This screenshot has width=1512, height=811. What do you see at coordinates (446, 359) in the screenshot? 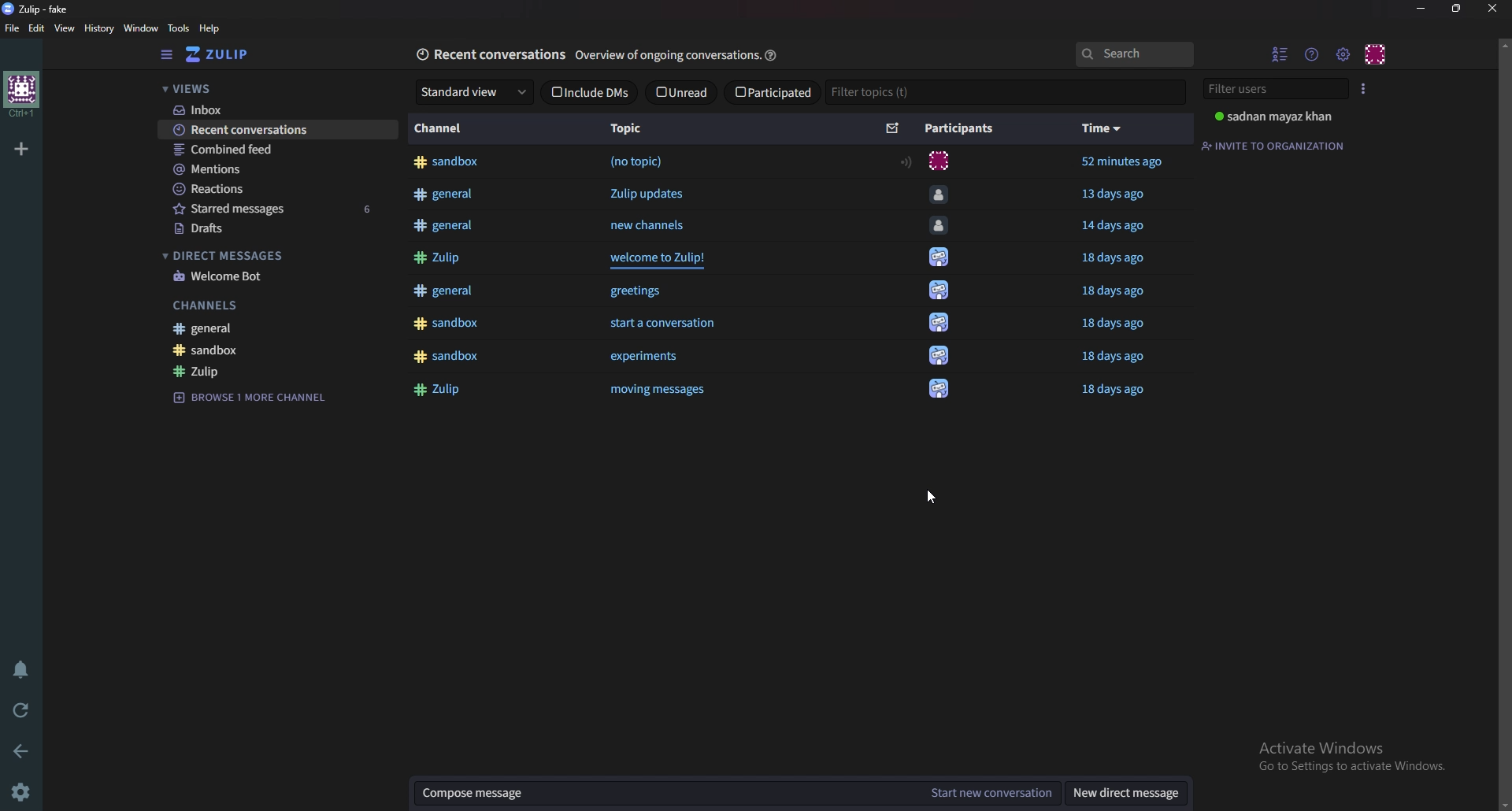
I see `#sandbox` at bounding box center [446, 359].